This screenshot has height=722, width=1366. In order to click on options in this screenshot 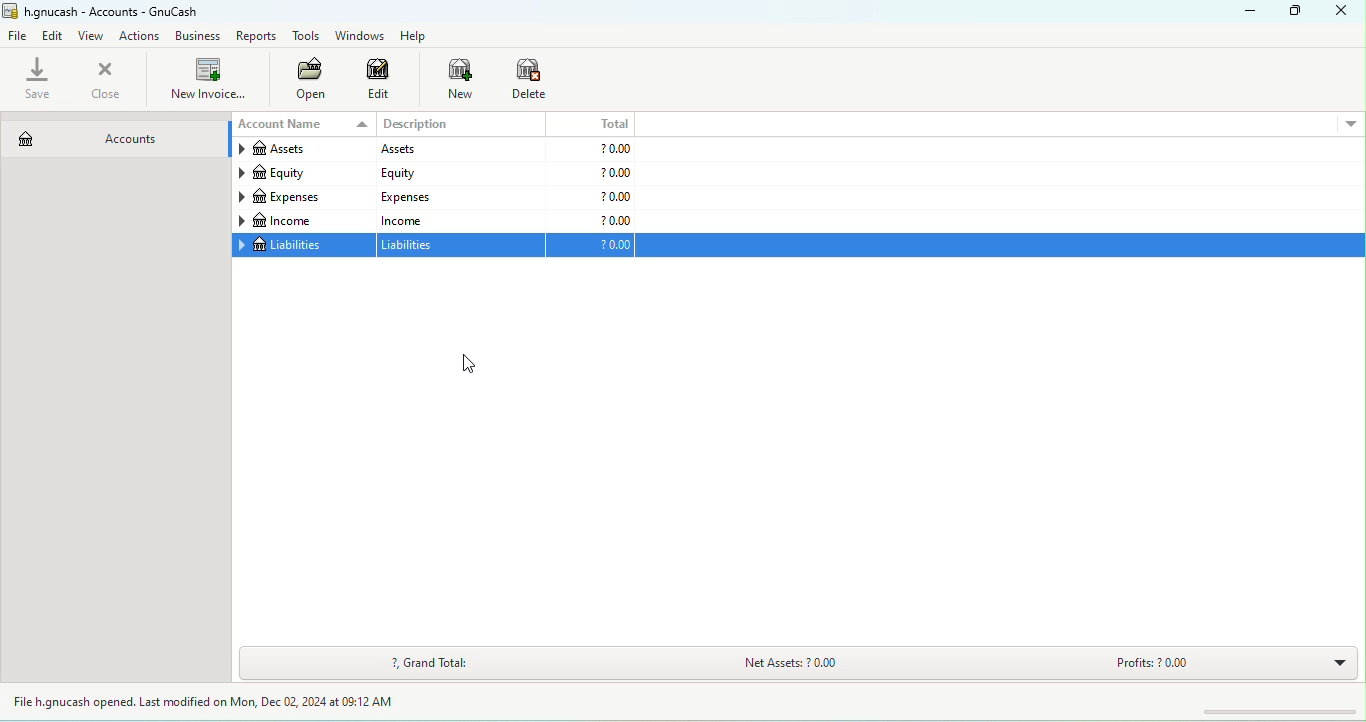, I will do `click(1350, 123)`.